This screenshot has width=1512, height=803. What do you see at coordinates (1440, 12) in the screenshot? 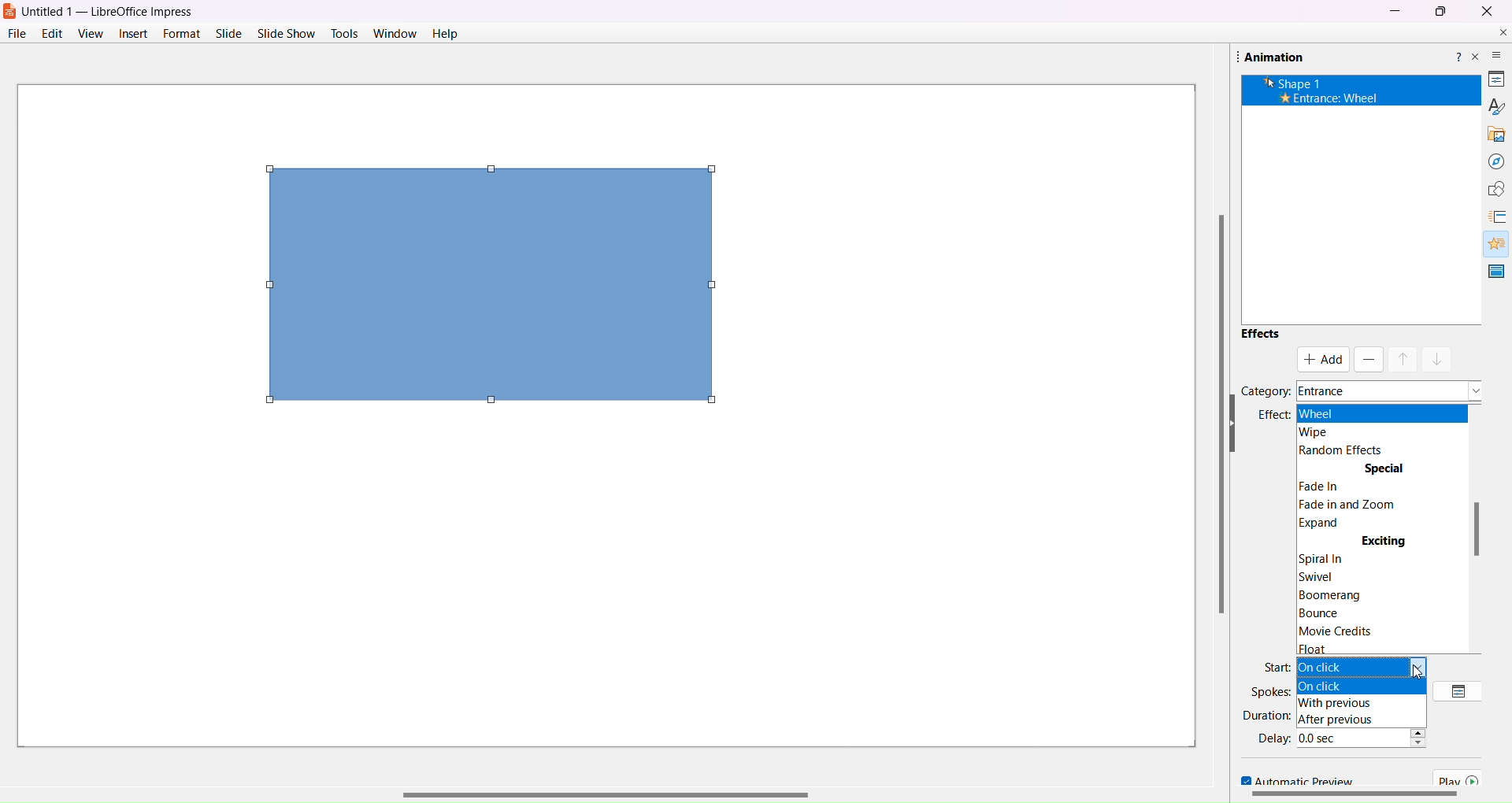
I see `Maximize` at bounding box center [1440, 12].